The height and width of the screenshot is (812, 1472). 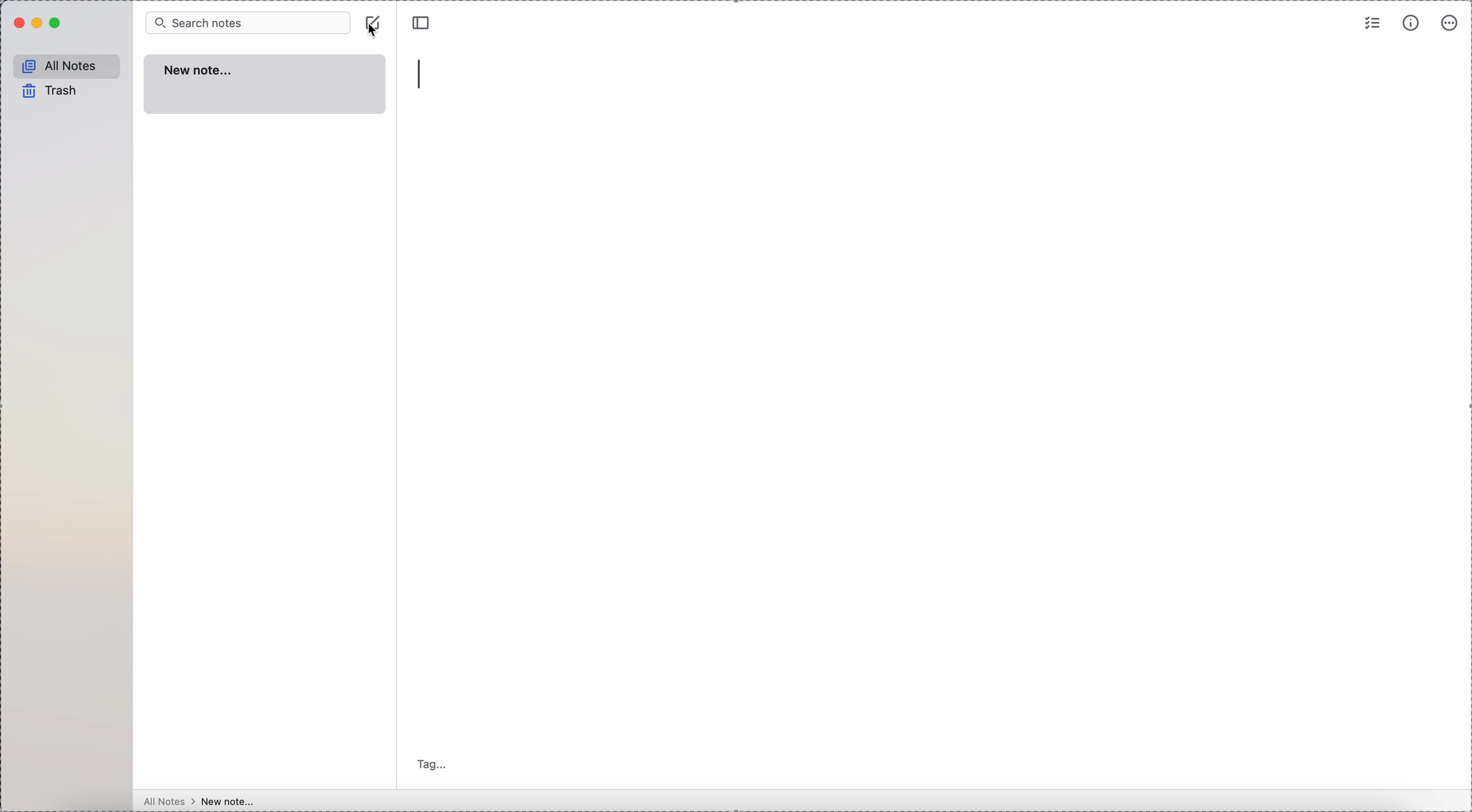 What do you see at coordinates (1448, 24) in the screenshot?
I see `more options` at bounding box center [1448, 24].